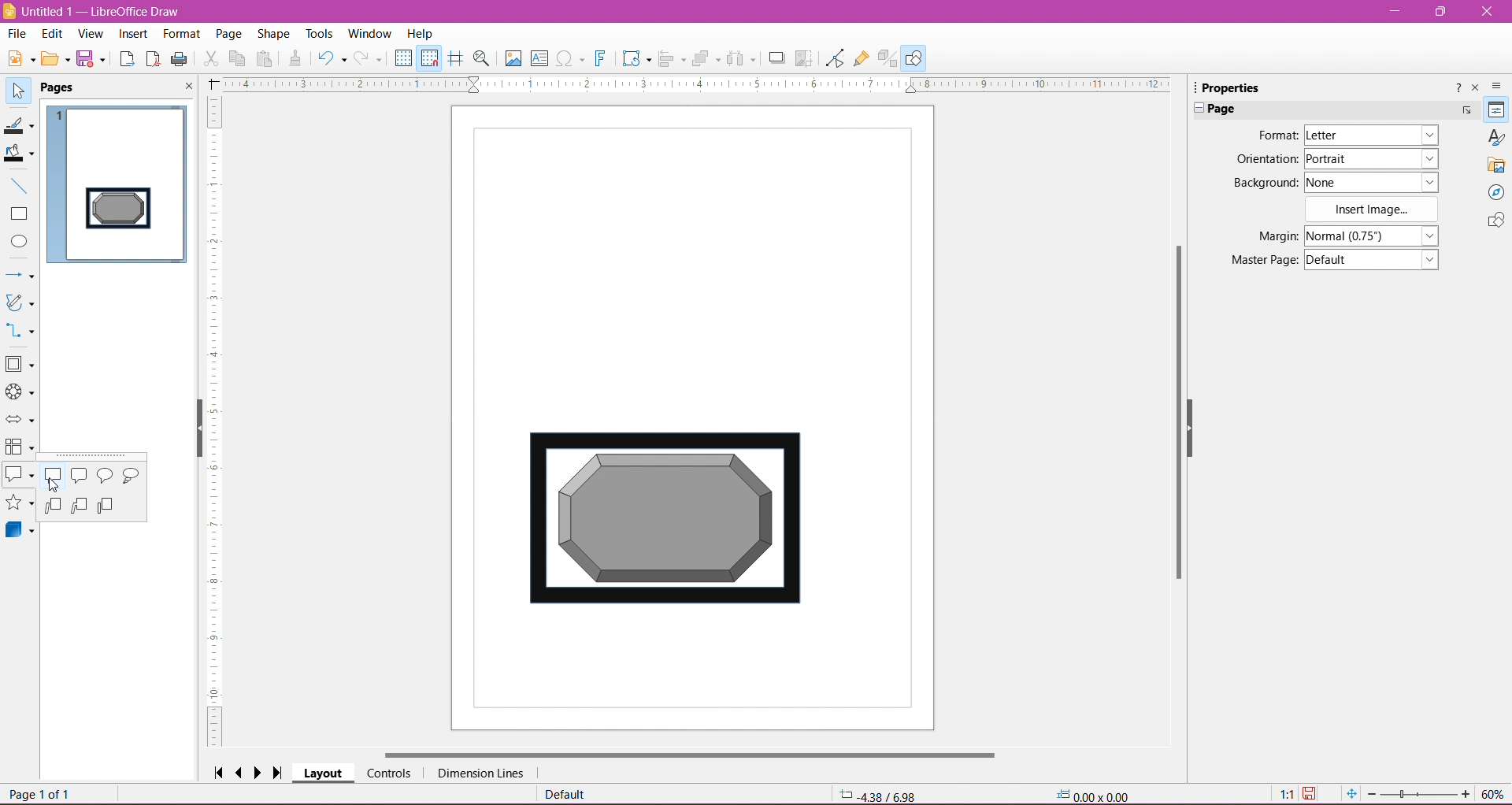 Image resolution: width=1512 pixels, height=805 pixels. I want to click on Callout Shapes, so click(20, 478).